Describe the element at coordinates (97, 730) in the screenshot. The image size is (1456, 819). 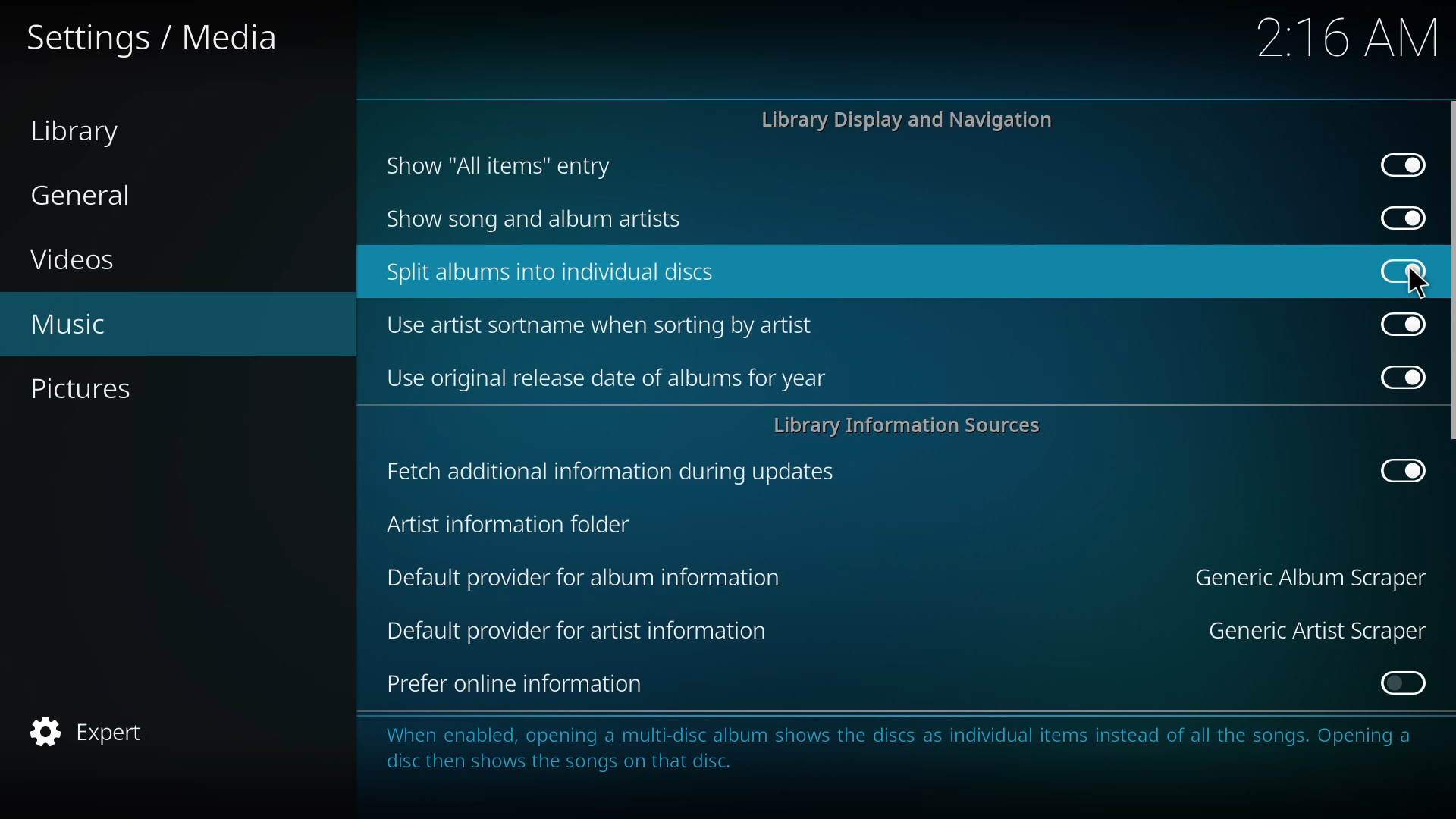
I see `expert` at that location.